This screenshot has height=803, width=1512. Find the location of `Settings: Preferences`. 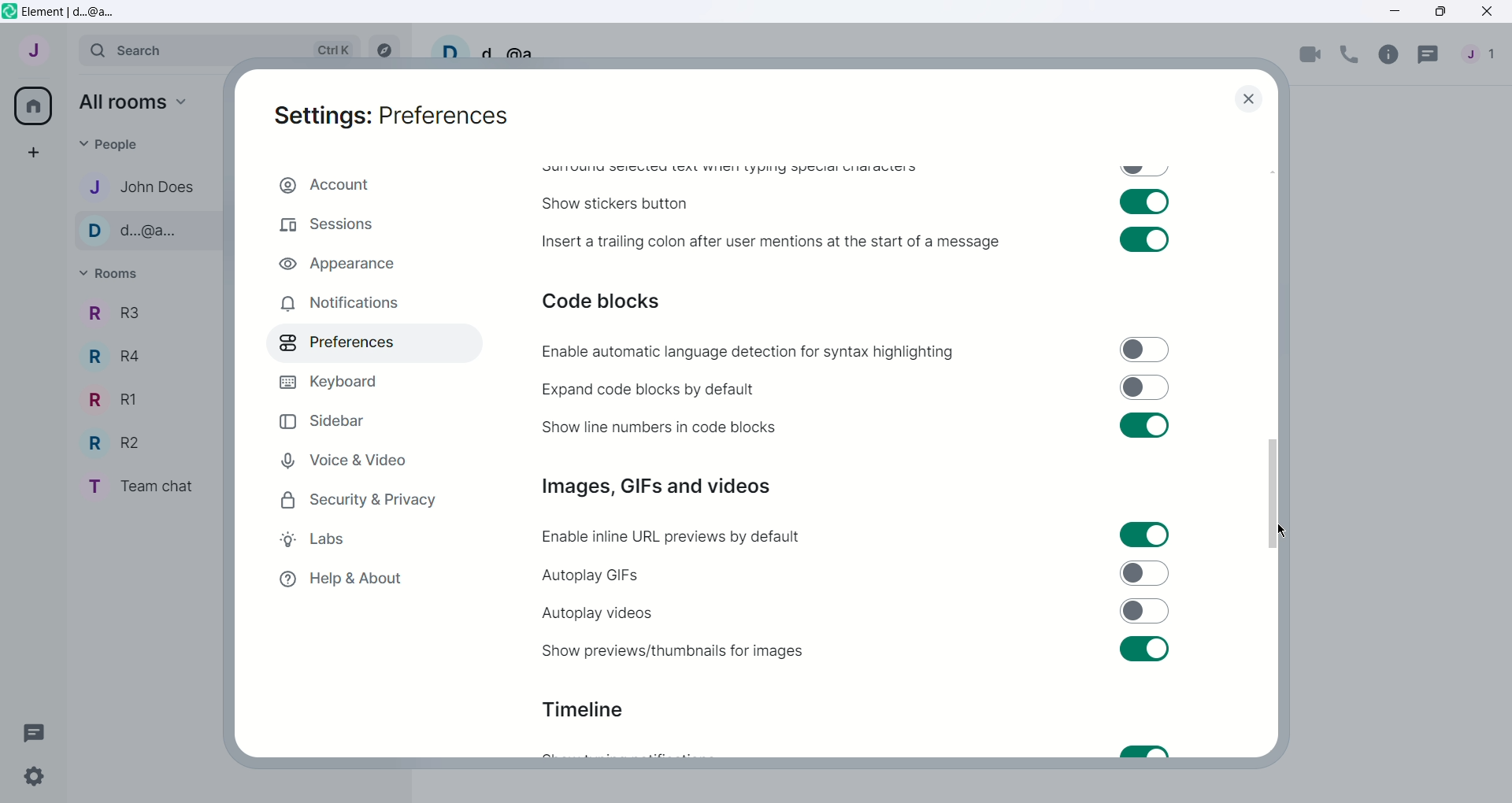

Settings: Preferences is located at coordinates (391, 117).